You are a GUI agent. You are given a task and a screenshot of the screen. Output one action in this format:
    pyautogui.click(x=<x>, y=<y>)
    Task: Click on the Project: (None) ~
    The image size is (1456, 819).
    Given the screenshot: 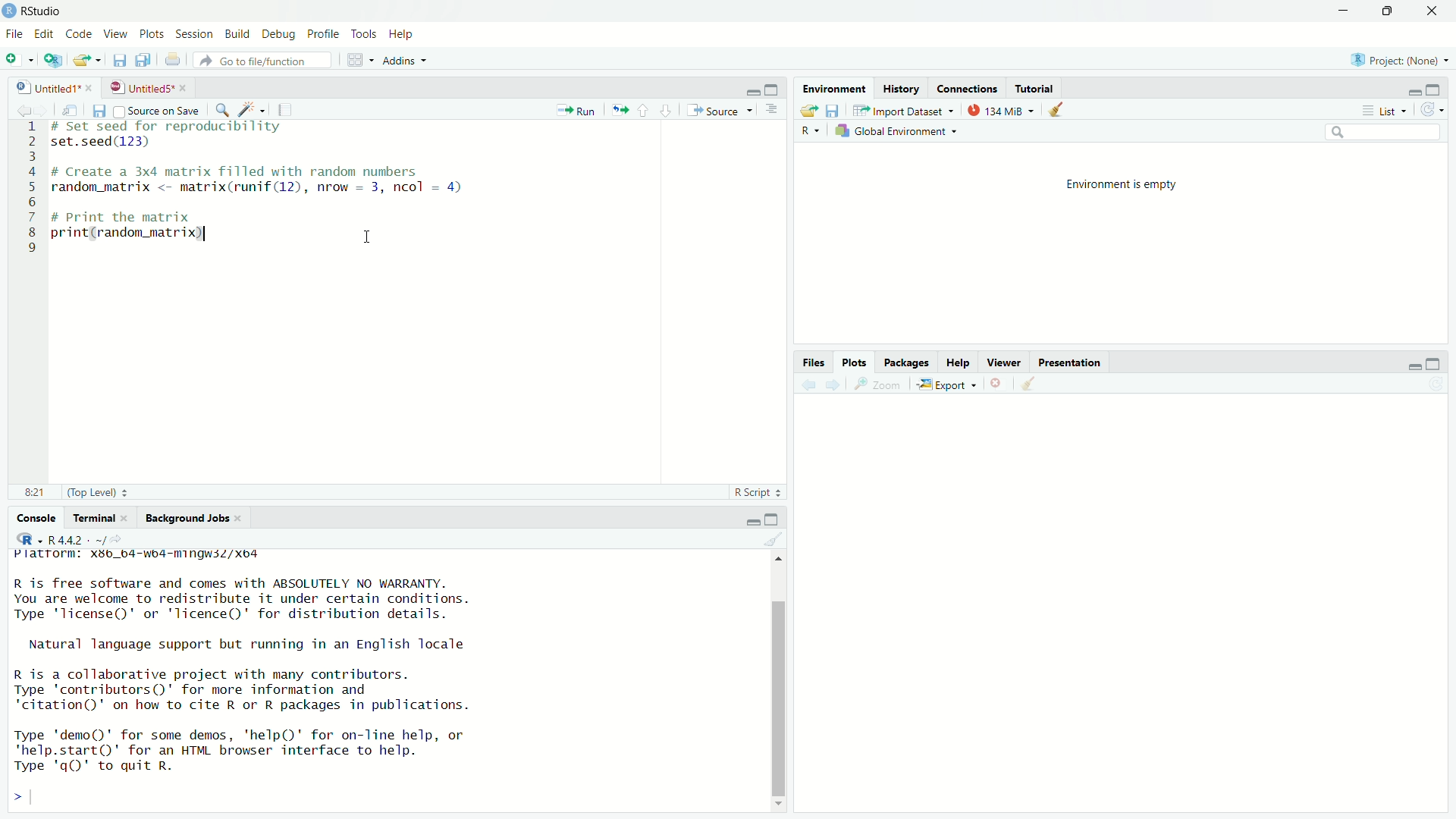 What is the action you would take?
    pyautogui.click(x=1399, y=61)
    